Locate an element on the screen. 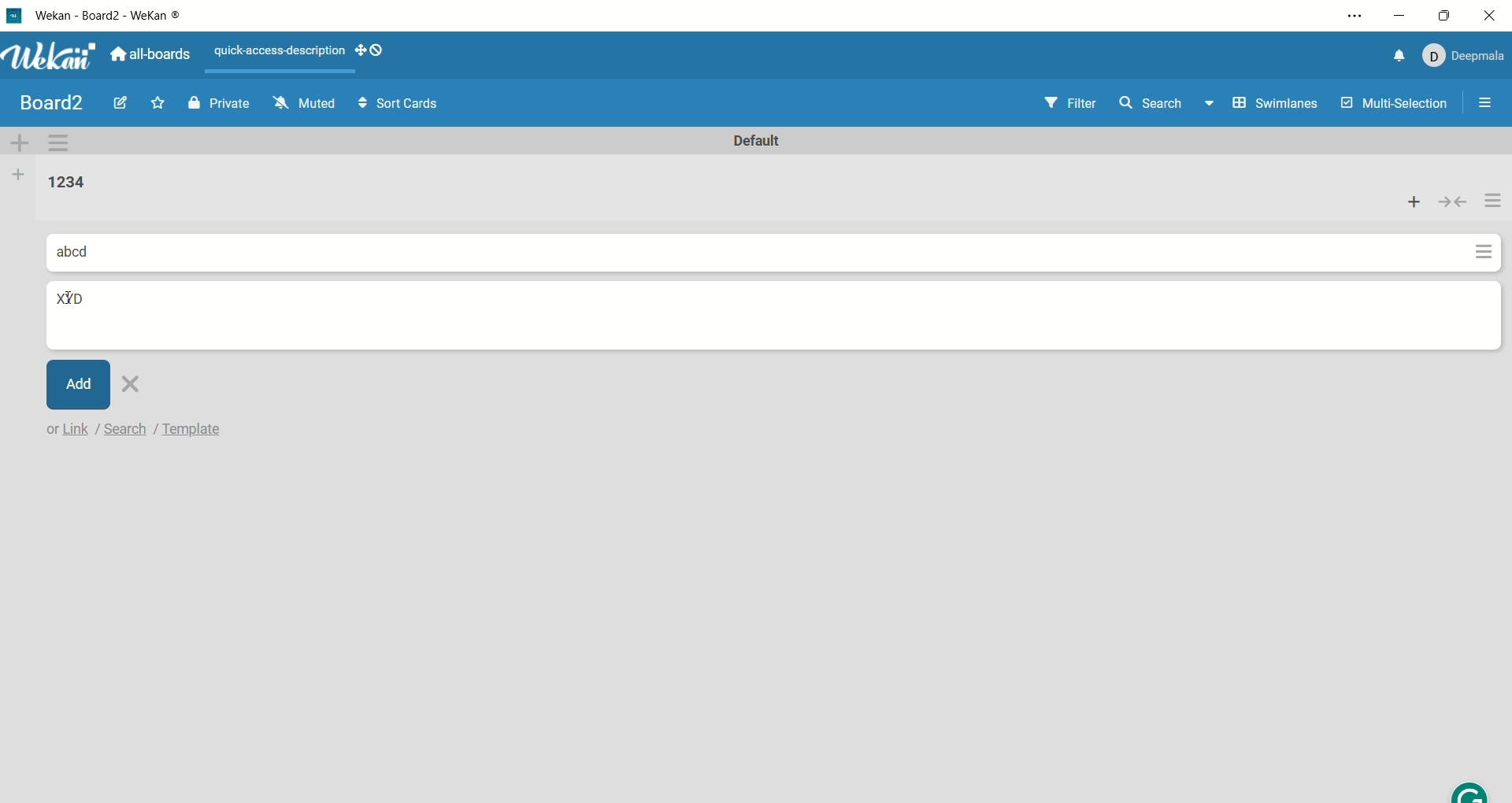 The width and height of the screenshot is (1512, 803). search is located at coordinates (1170, 101).